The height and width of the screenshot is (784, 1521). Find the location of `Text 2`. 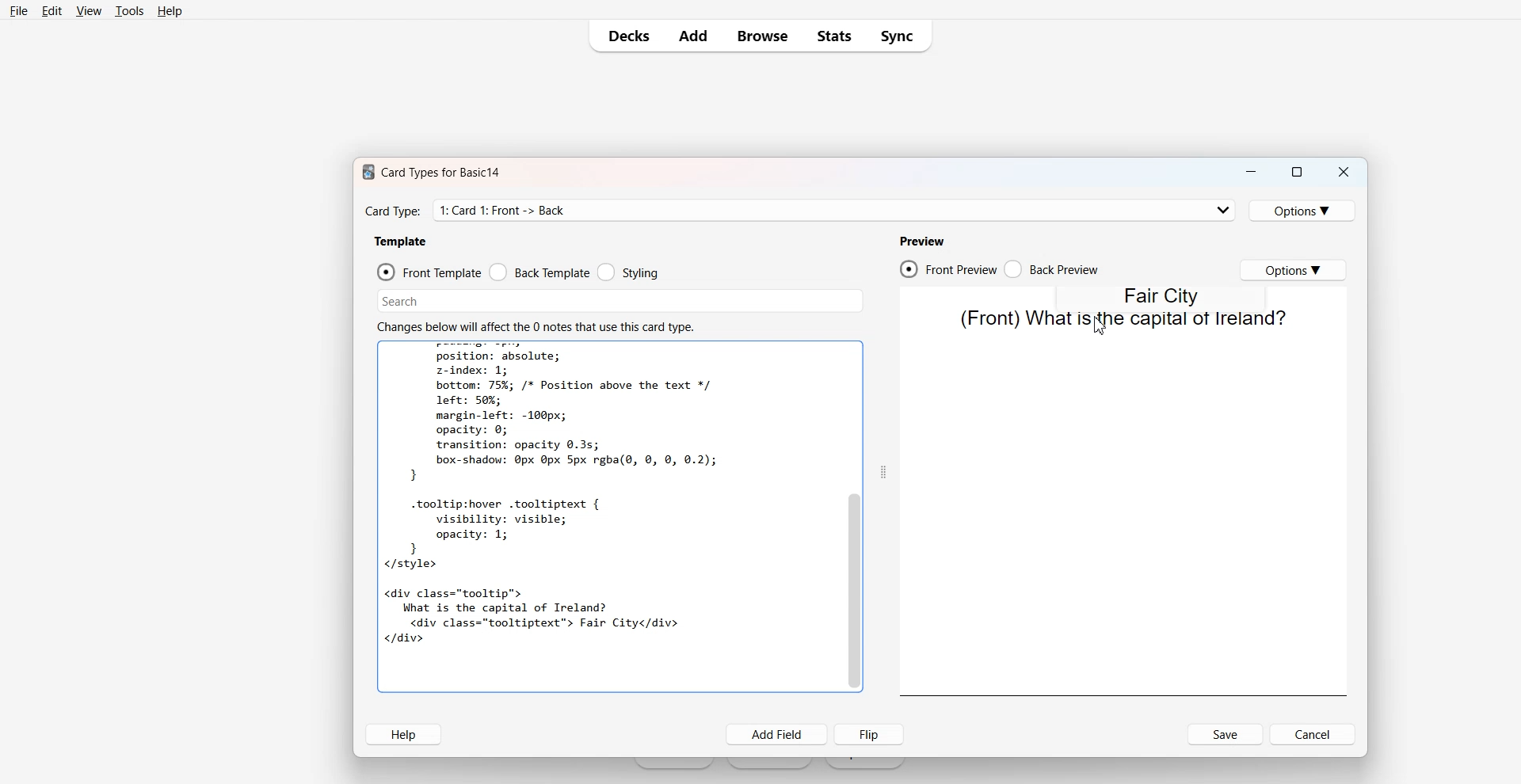

Text 2 is located at coordinates (536, 326).